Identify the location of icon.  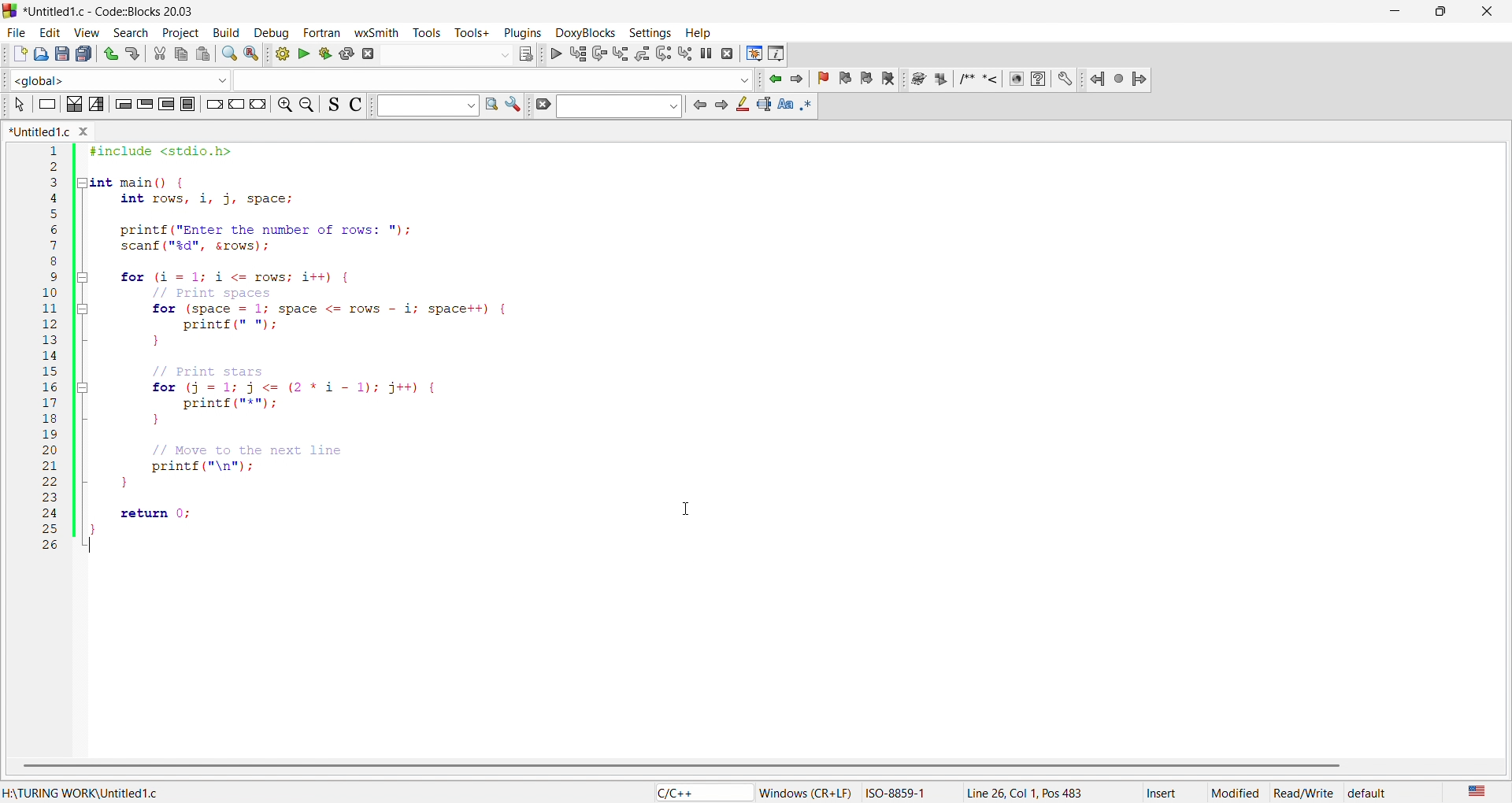
(165, 107).